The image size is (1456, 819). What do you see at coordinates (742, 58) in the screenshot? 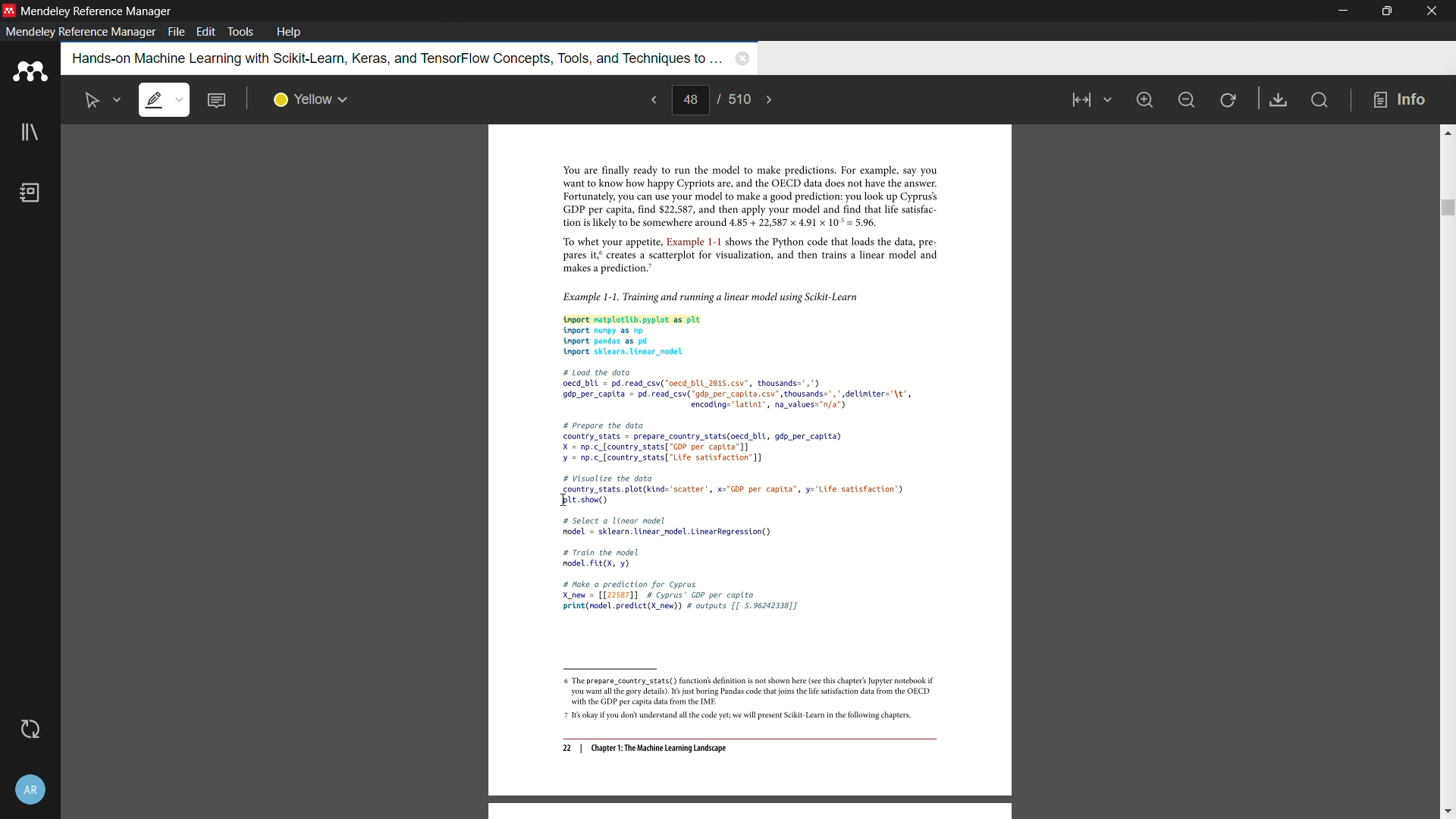
I see `close book` at bounding box center [742, 58].